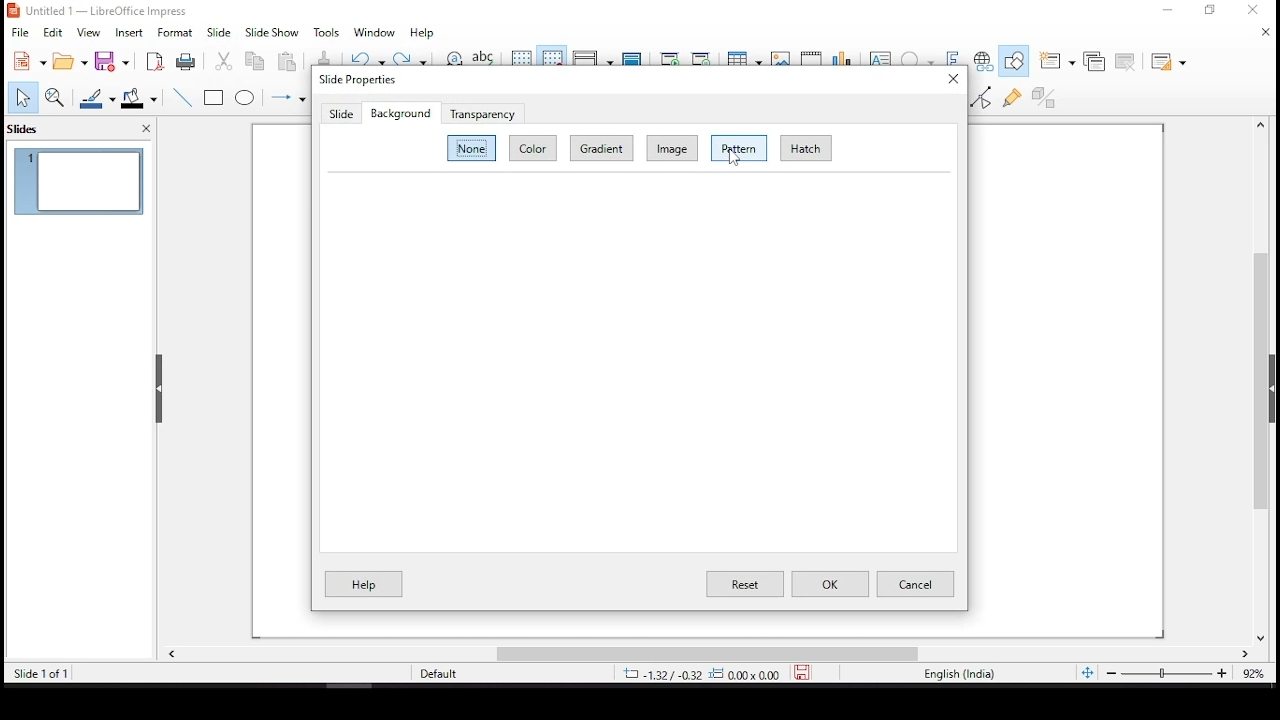 This screenshot has height=720, width=1280. I want to click on color, so click(531, 147).